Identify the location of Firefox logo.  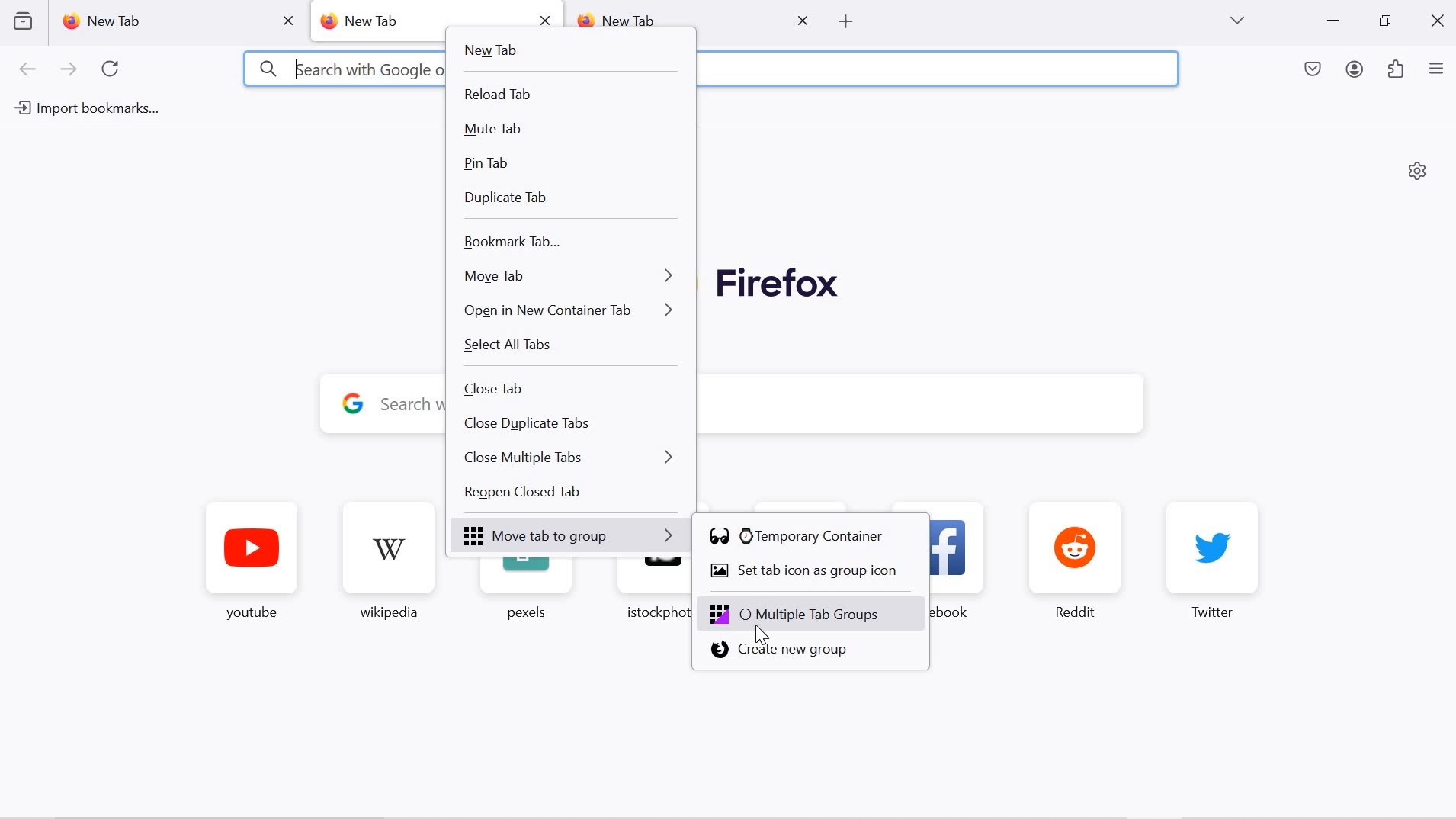
(778, 284).